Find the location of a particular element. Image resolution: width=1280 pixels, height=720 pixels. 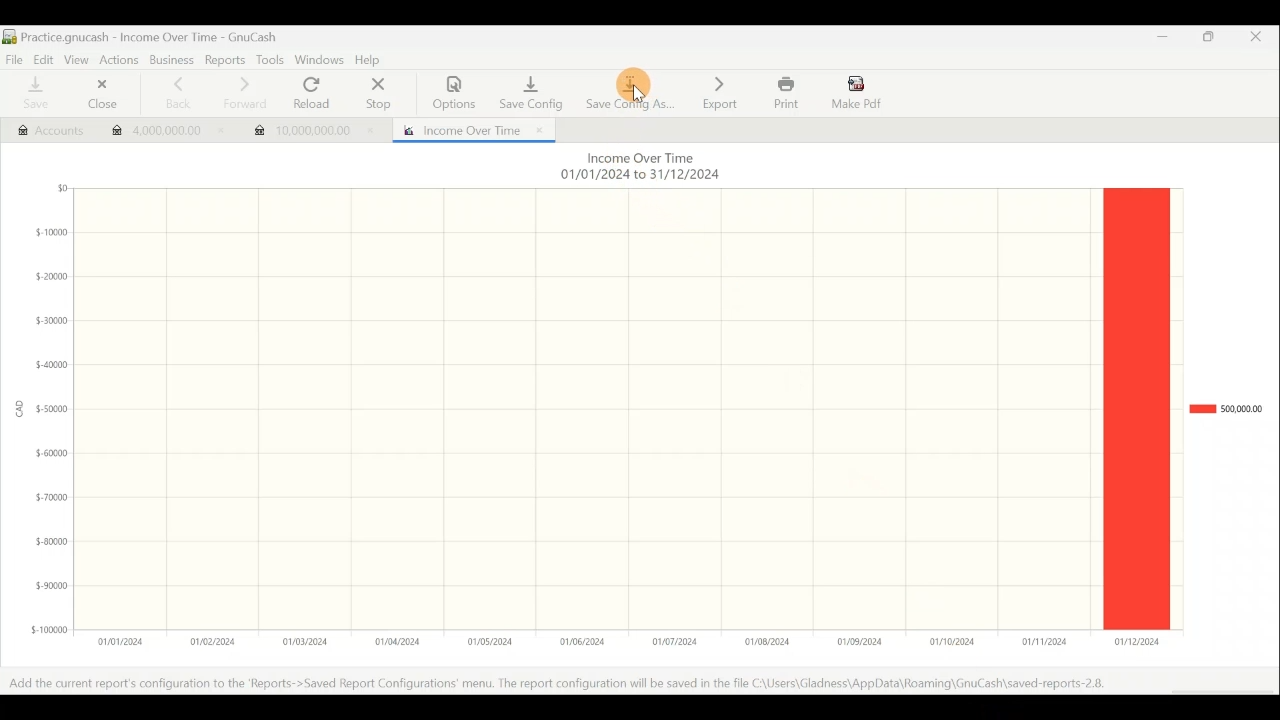

View is located at coordinates (75, 58).